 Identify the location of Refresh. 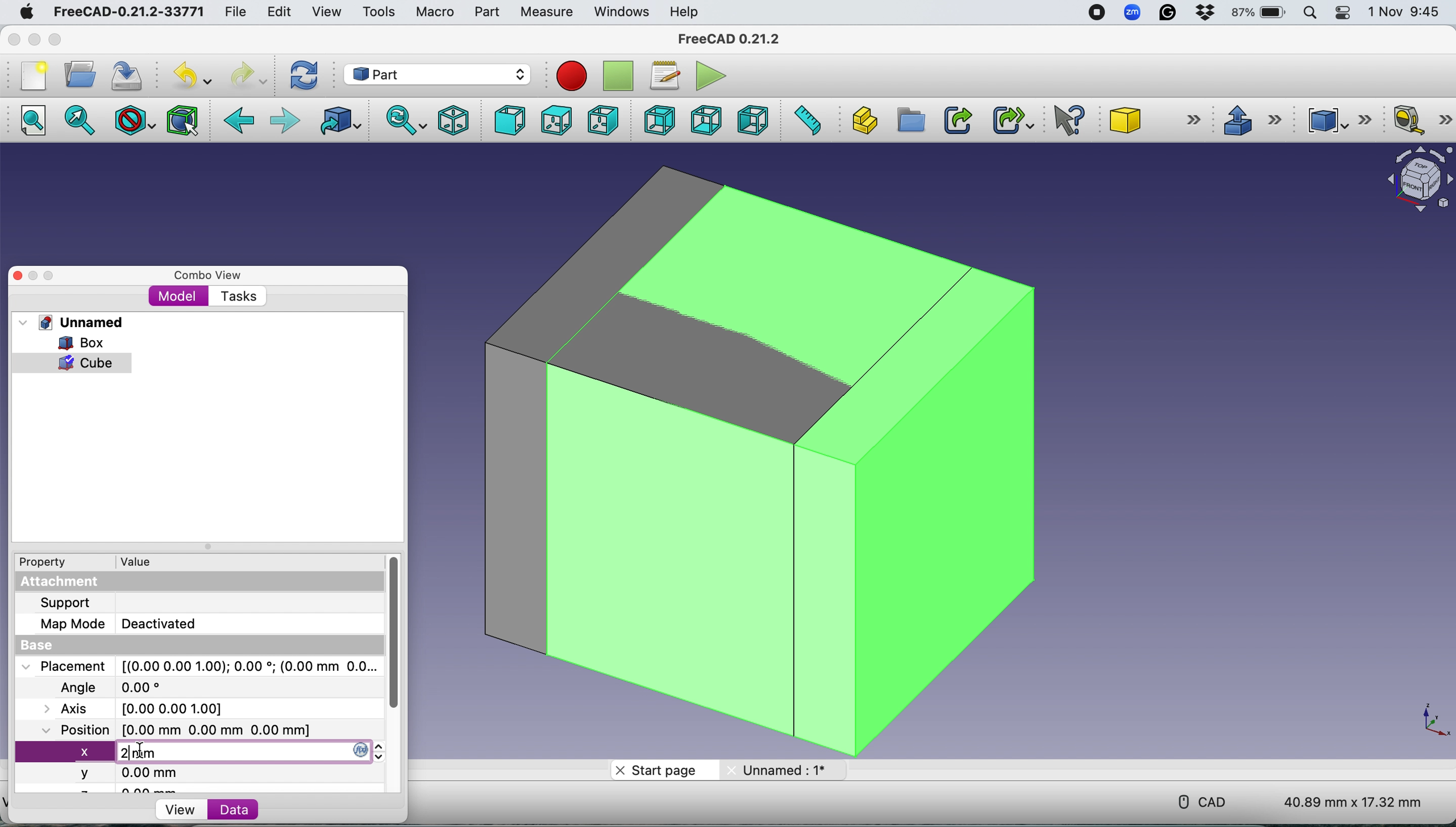
(307, 75).